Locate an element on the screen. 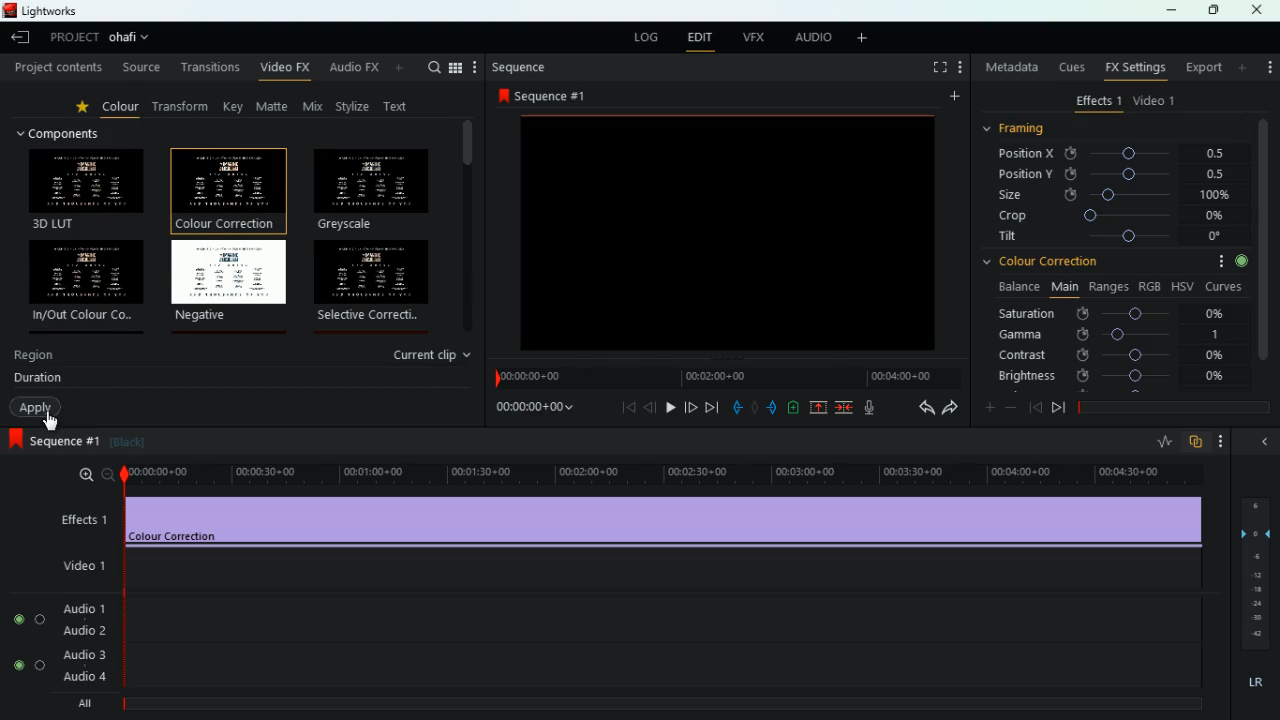 The image size is (1280, 720). zoom is located at coordinates (80, 475).